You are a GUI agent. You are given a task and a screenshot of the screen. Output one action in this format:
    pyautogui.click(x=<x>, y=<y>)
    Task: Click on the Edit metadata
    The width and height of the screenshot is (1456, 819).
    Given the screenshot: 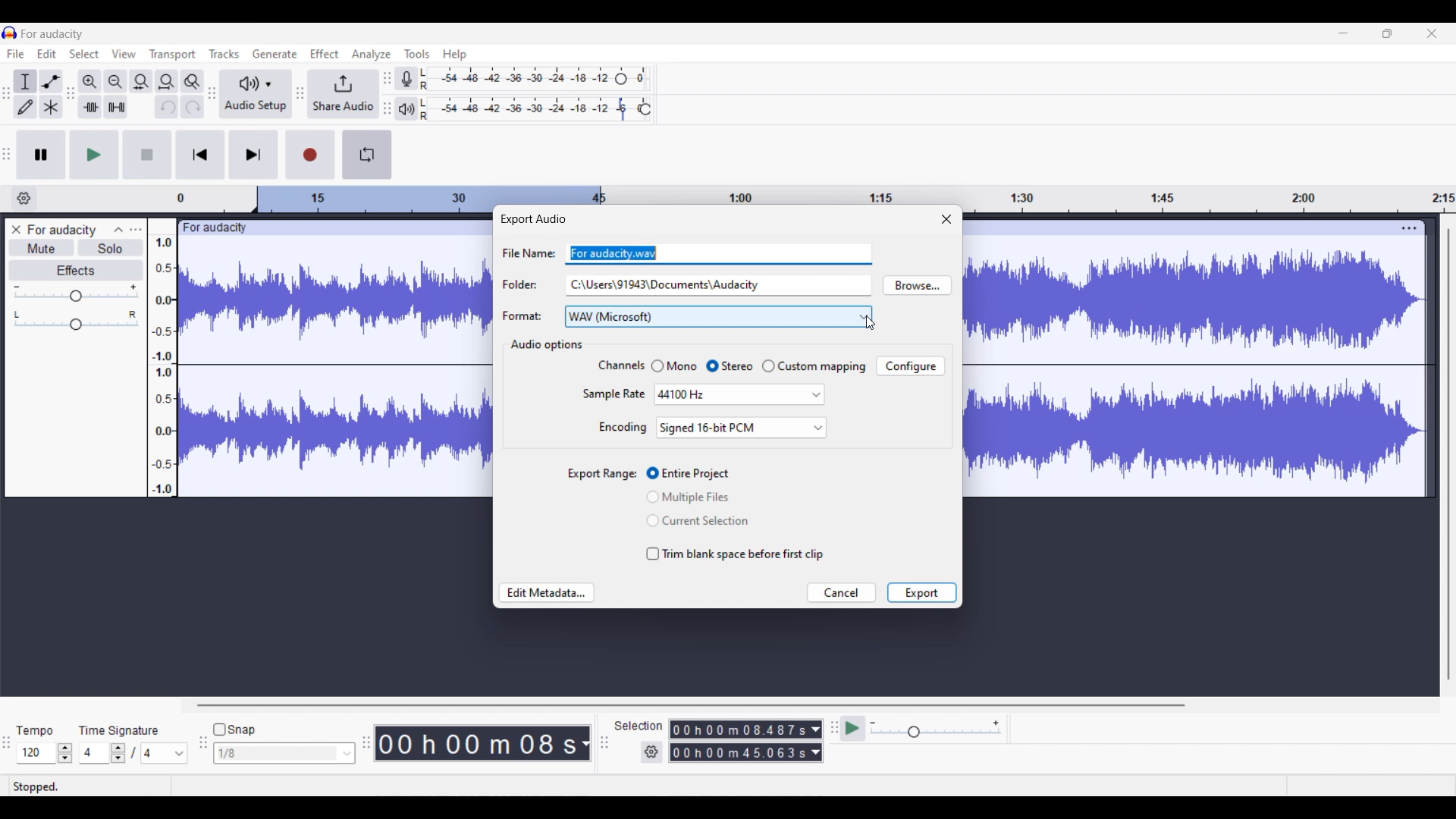 What is the action you would take?
    pyautogui.click(x=548, y=593)
    